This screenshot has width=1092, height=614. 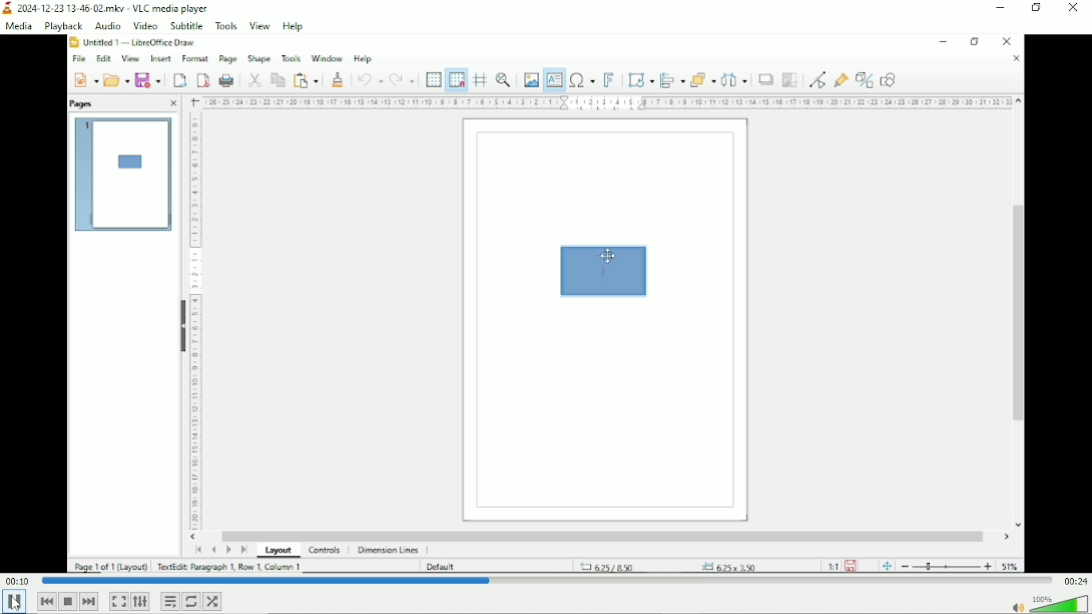 I want to click on View, so click(x=258, y=25).